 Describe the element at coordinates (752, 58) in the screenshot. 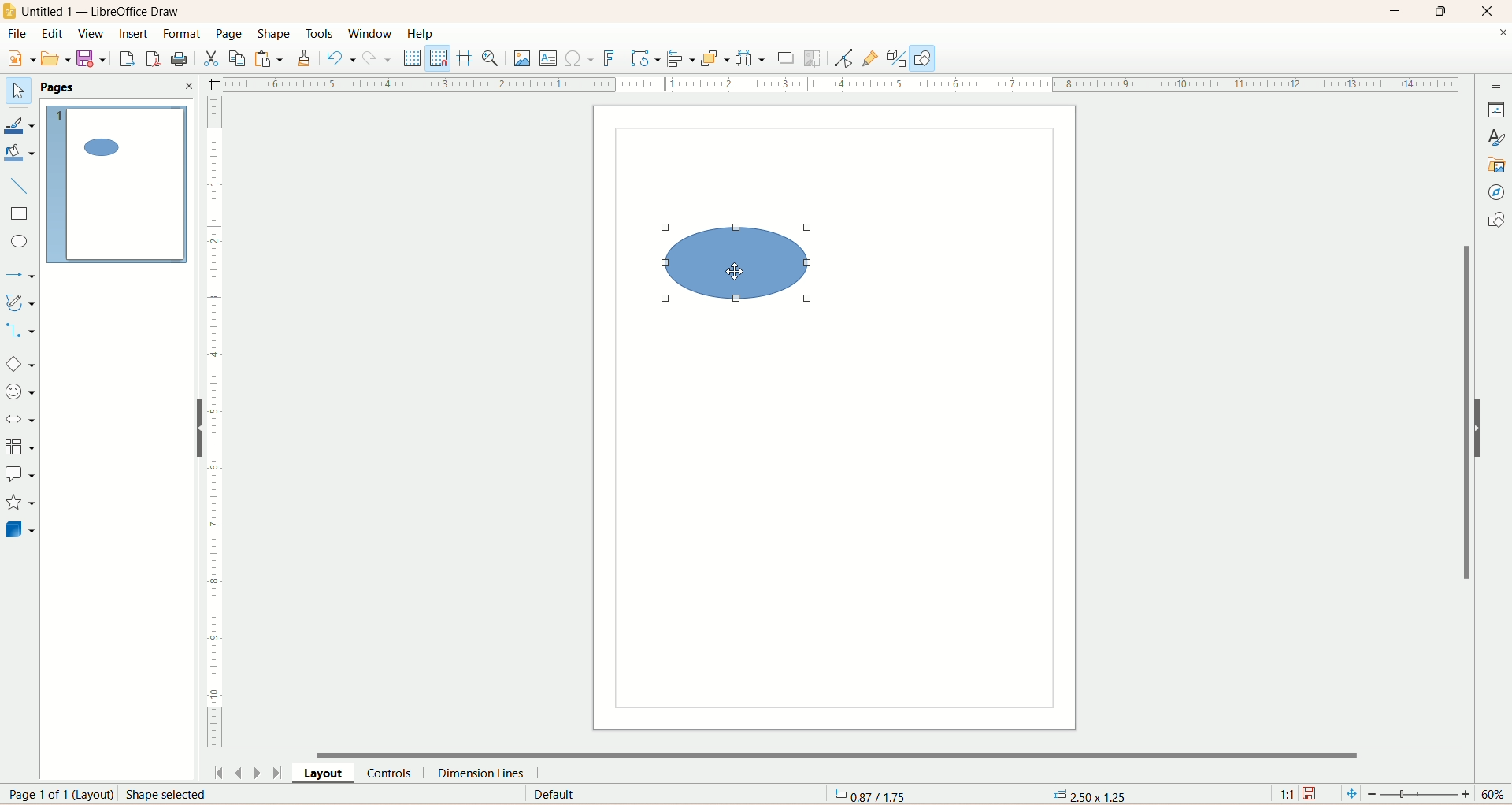

I see `select atleast three objects to distribute` at that location.